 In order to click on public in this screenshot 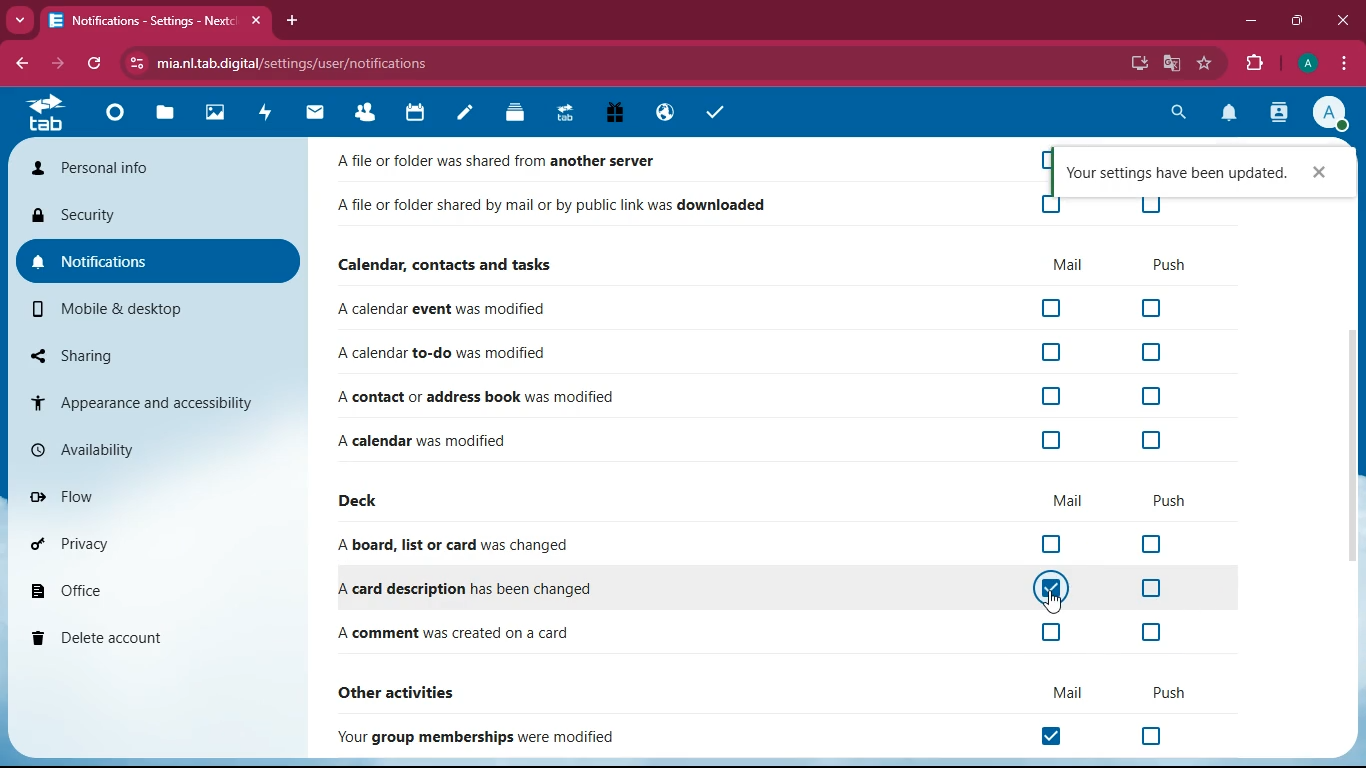, I will do `click(663, 114)`.